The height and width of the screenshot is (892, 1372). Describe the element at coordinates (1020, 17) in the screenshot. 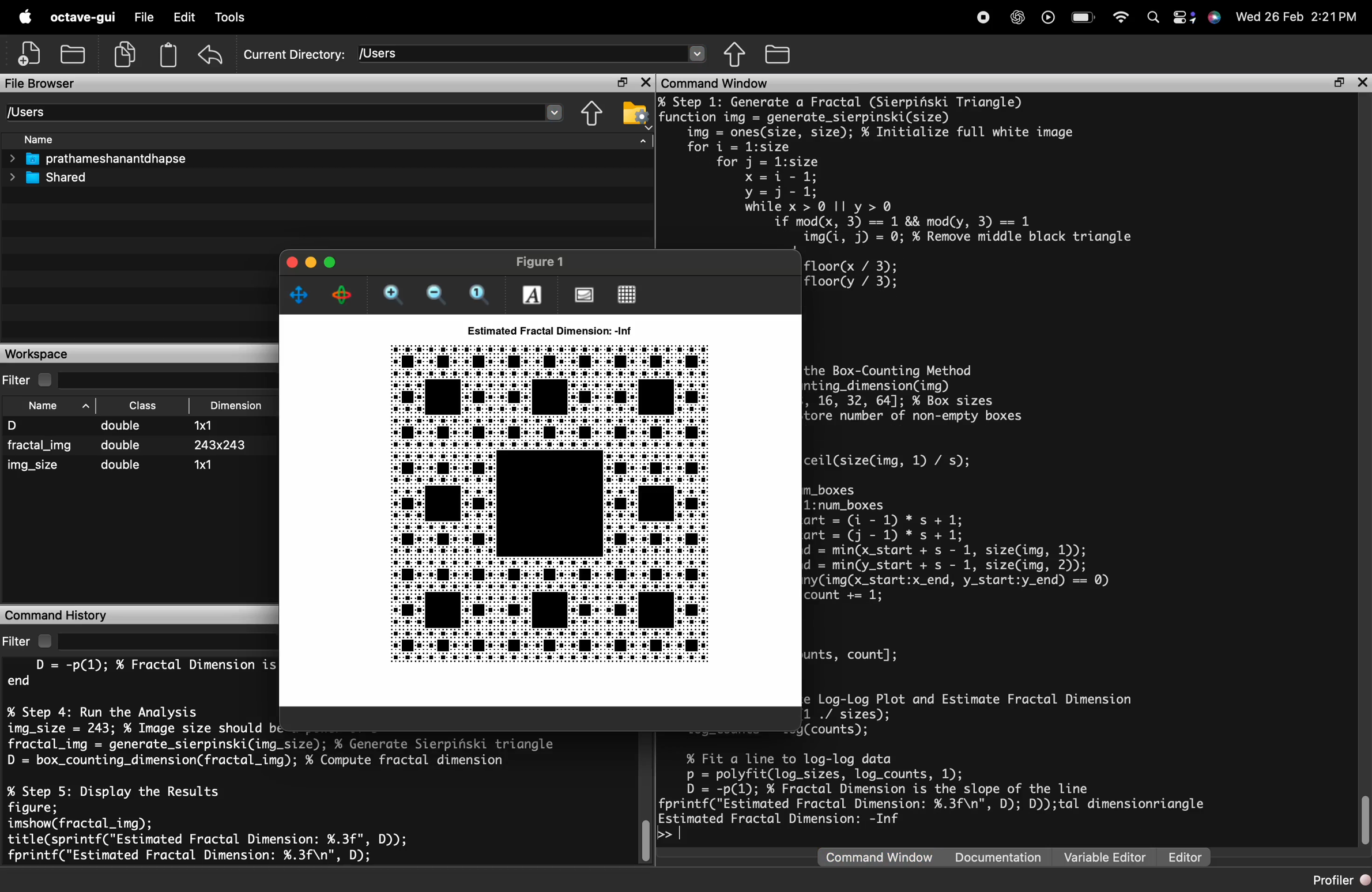

I see `AI` at that location.